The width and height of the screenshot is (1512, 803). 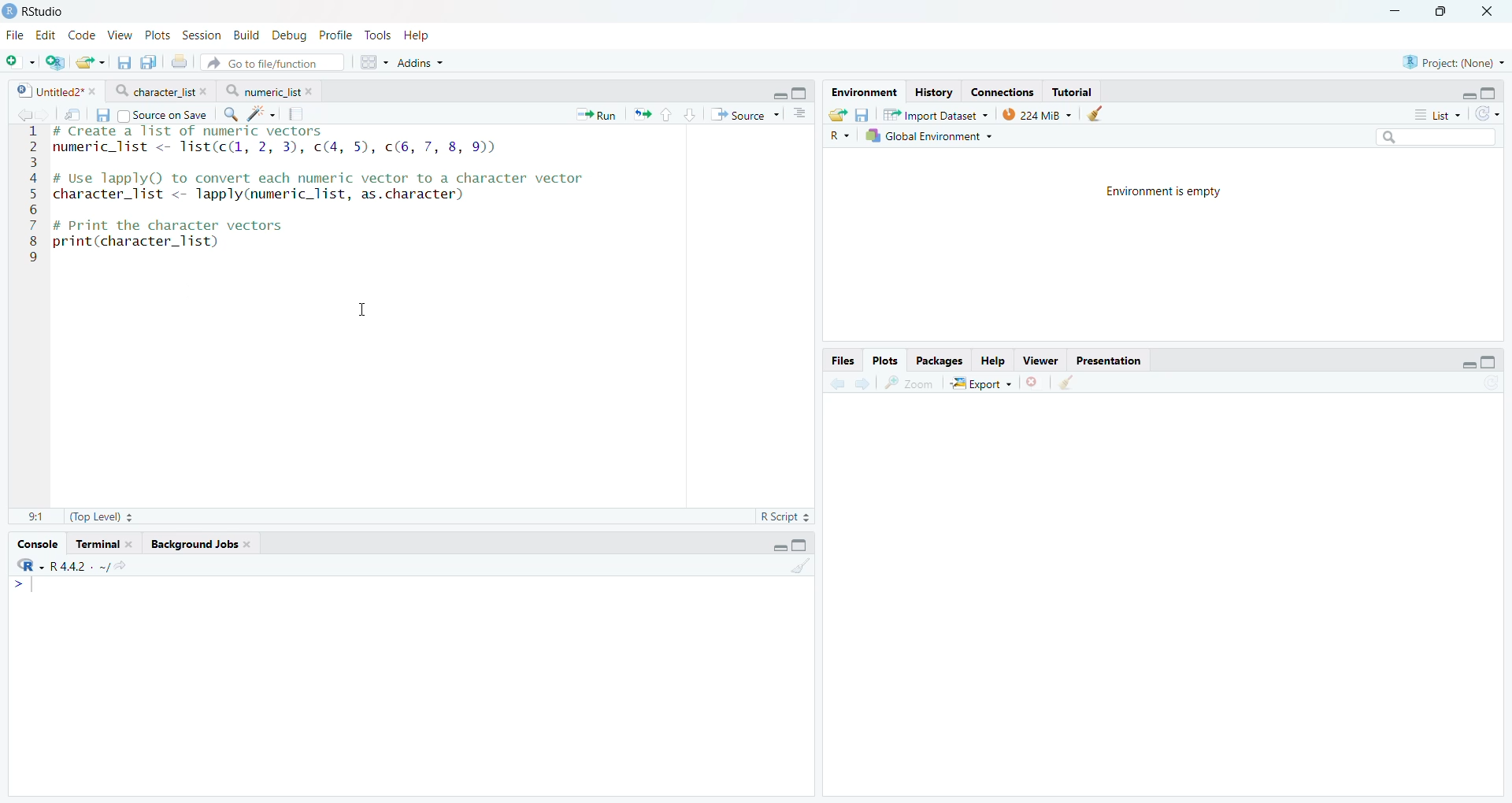 I want to click on Console, so click(x=39, y=545).